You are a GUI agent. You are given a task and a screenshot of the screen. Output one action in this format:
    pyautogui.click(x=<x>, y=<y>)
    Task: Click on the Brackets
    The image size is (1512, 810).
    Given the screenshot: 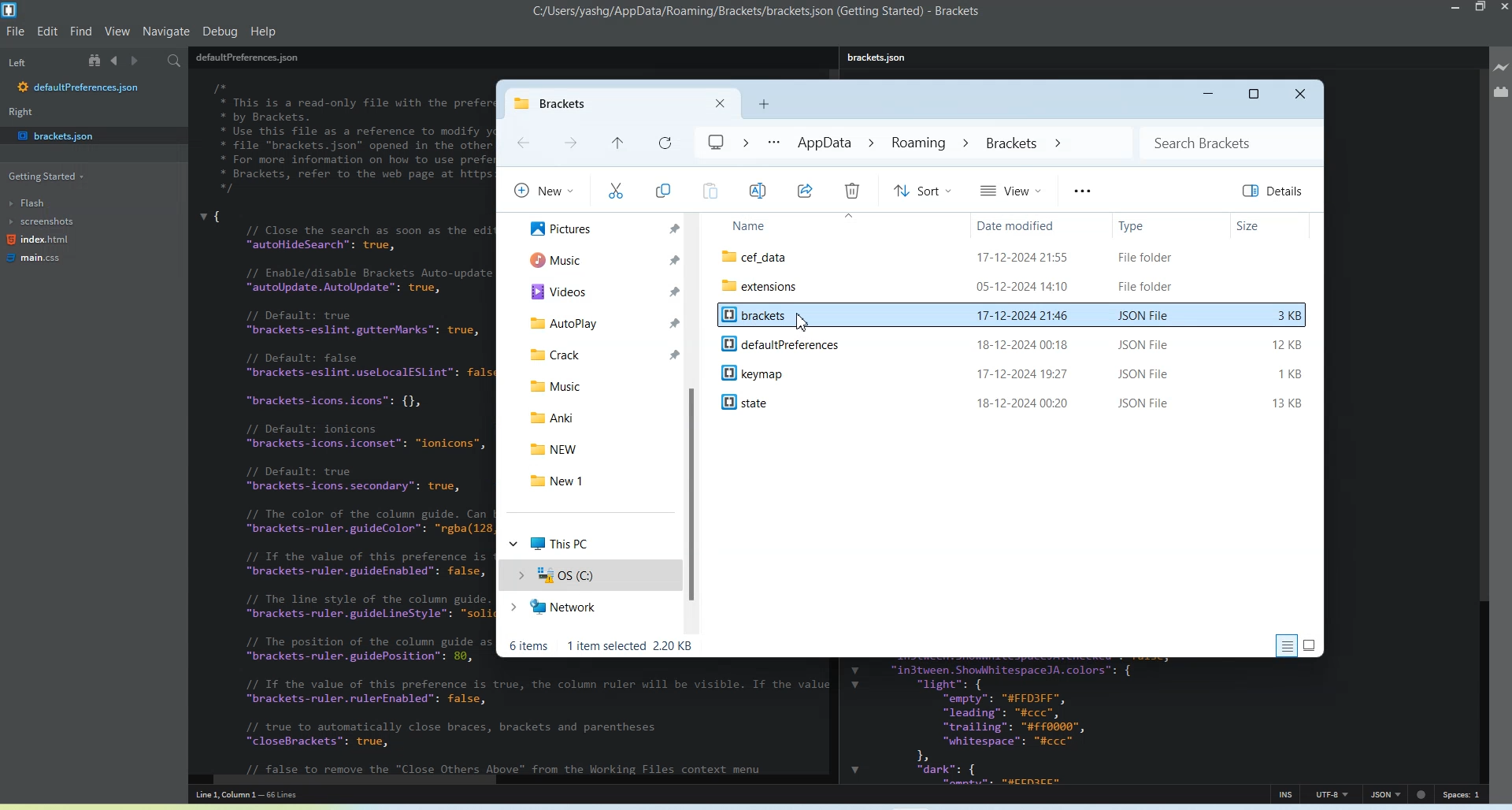 What is the action you would take?
    pyautogui.click(x=1014, y=318)
    